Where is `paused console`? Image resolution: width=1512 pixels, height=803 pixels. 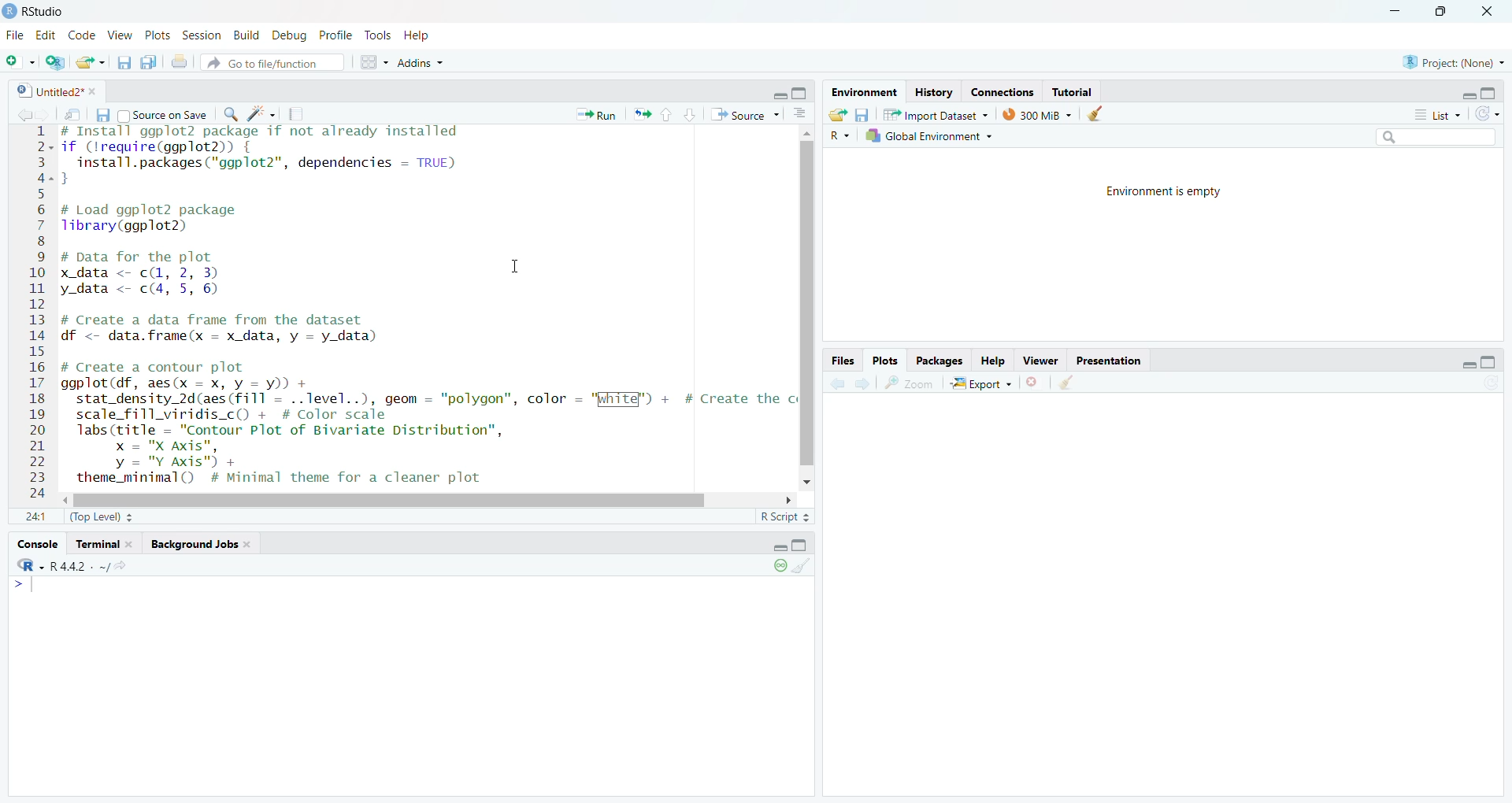 paused console is located at coordinates (779, 564).